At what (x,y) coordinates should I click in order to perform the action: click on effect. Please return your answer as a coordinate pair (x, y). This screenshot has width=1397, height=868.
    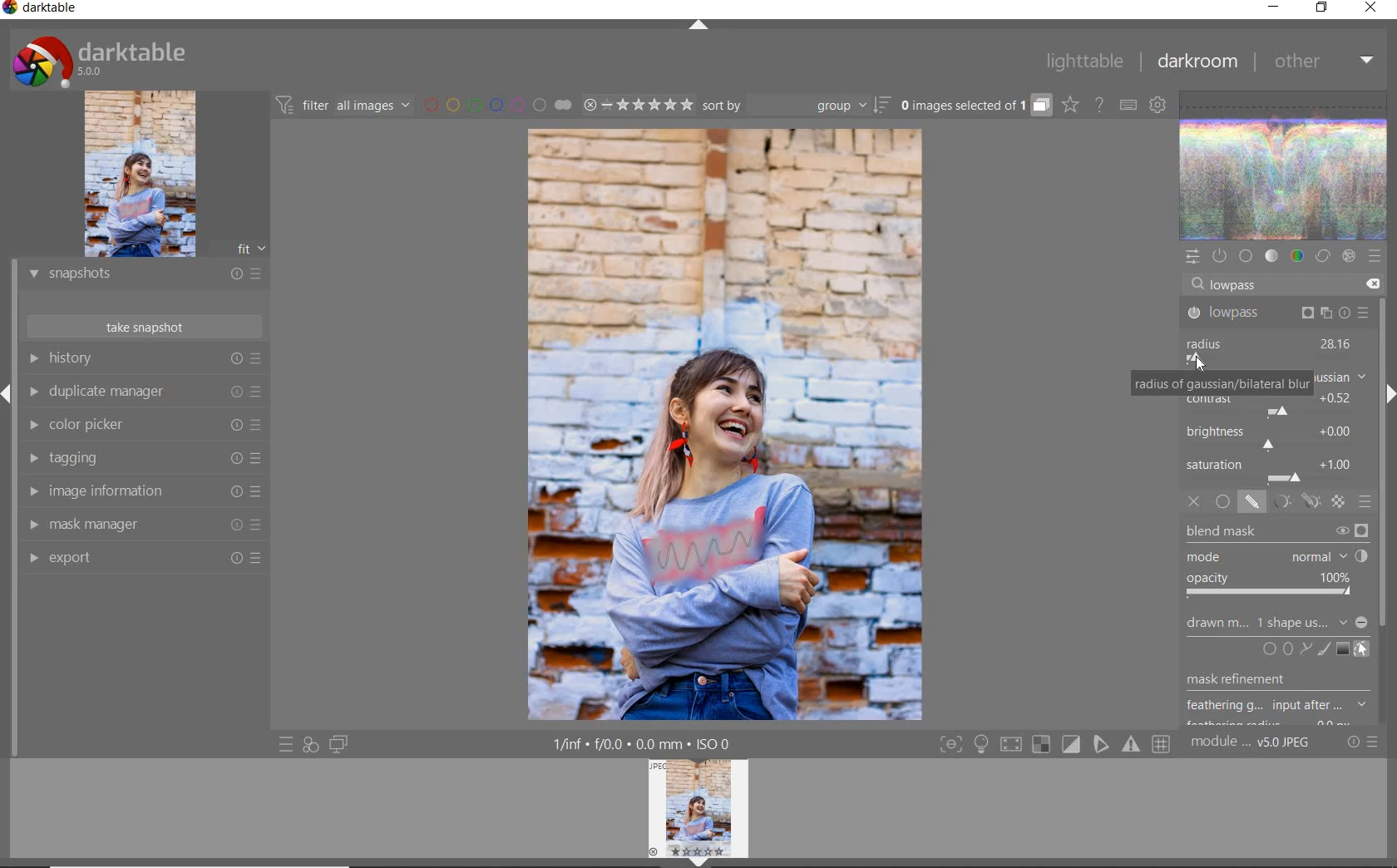
    Looking at the image, I should click on (1346, 257).